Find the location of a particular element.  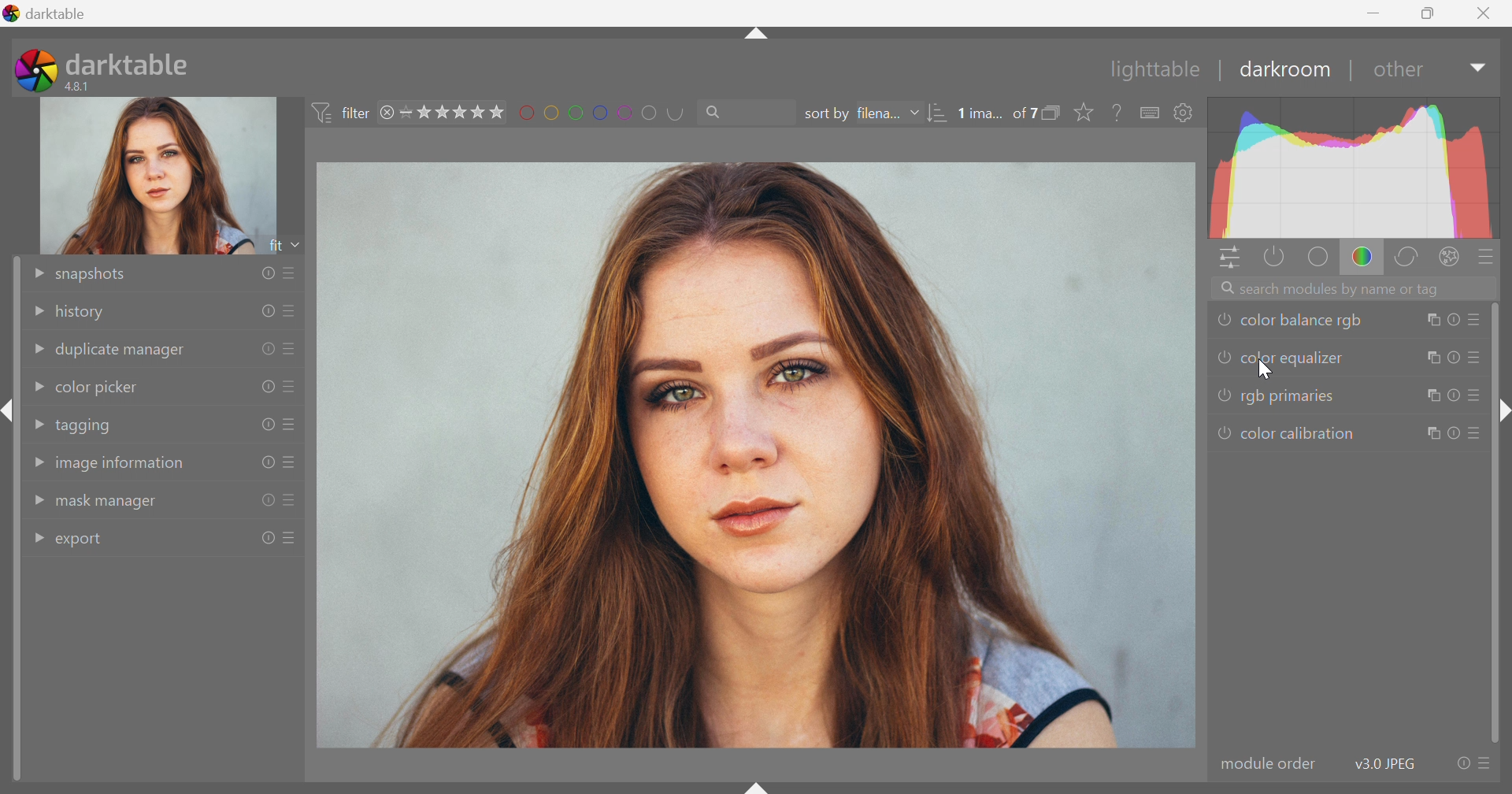

image is located at coordinates (757, 456).